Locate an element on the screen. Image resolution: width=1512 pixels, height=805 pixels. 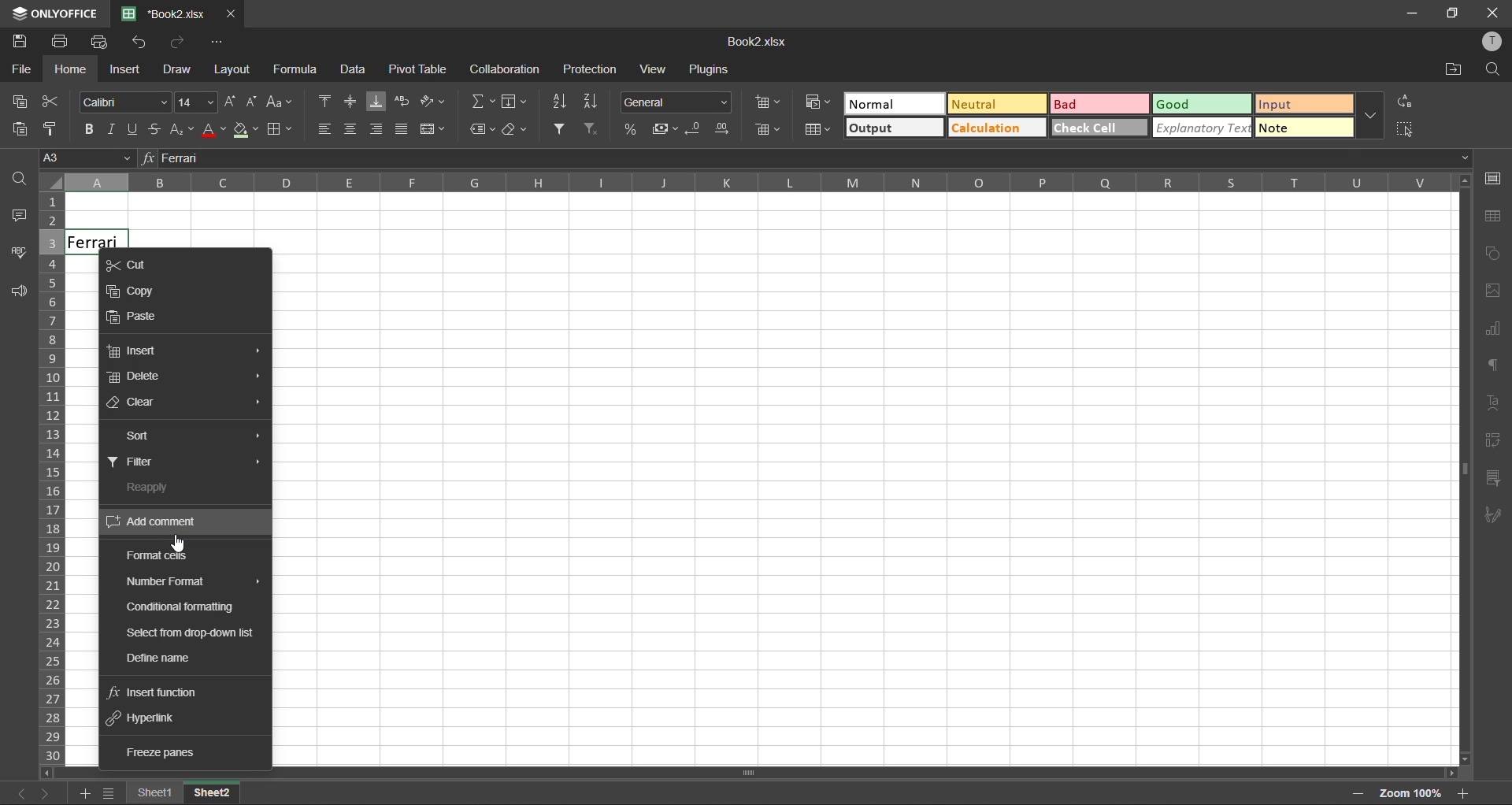
sheet 2 is located at coordinates (215, 793).